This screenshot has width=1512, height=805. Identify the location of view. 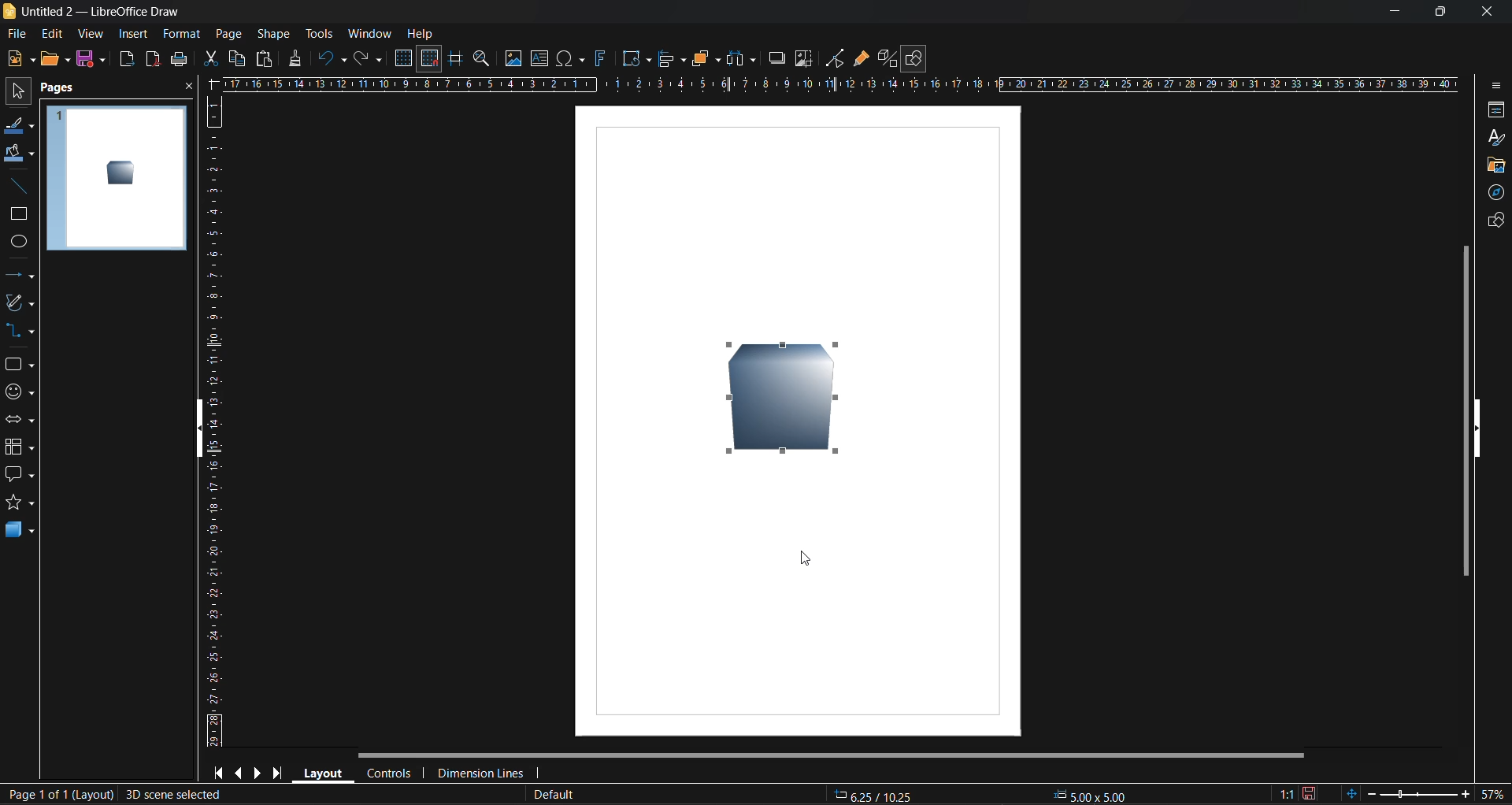
(92, 35).